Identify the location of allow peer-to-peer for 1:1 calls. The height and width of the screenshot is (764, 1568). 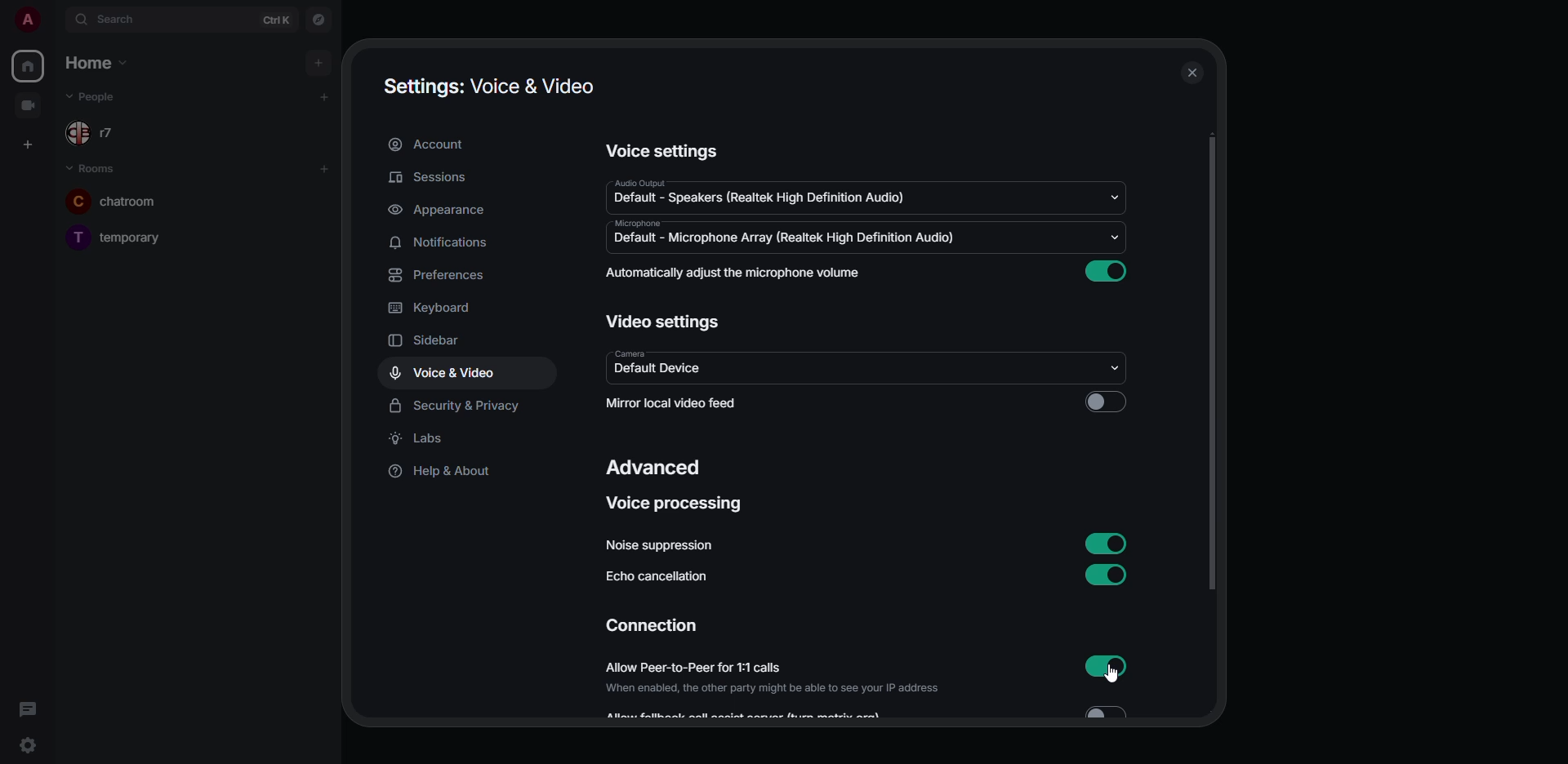
(772, 677).